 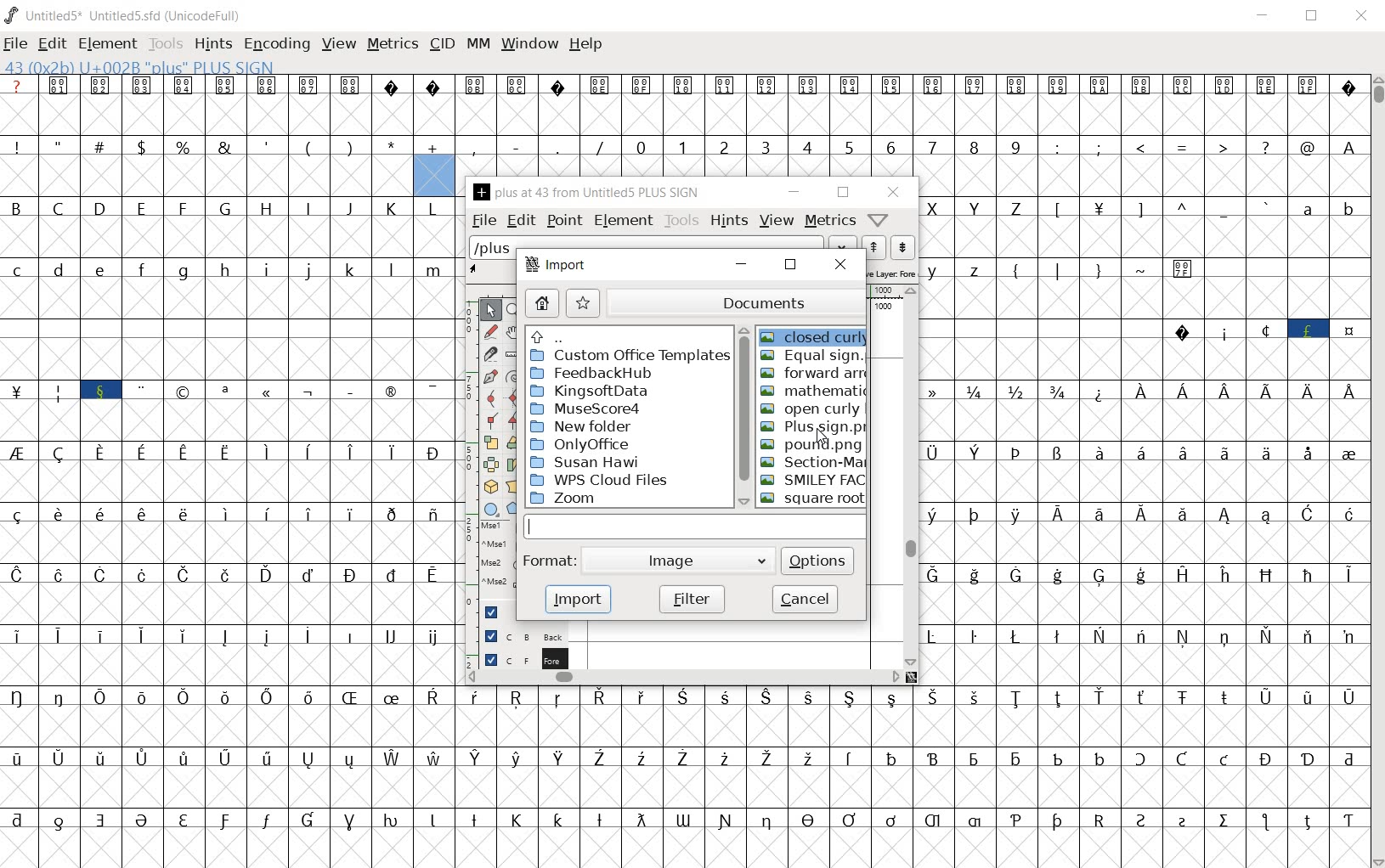 I want to click on skew the selection, so click(x=514, y=465).